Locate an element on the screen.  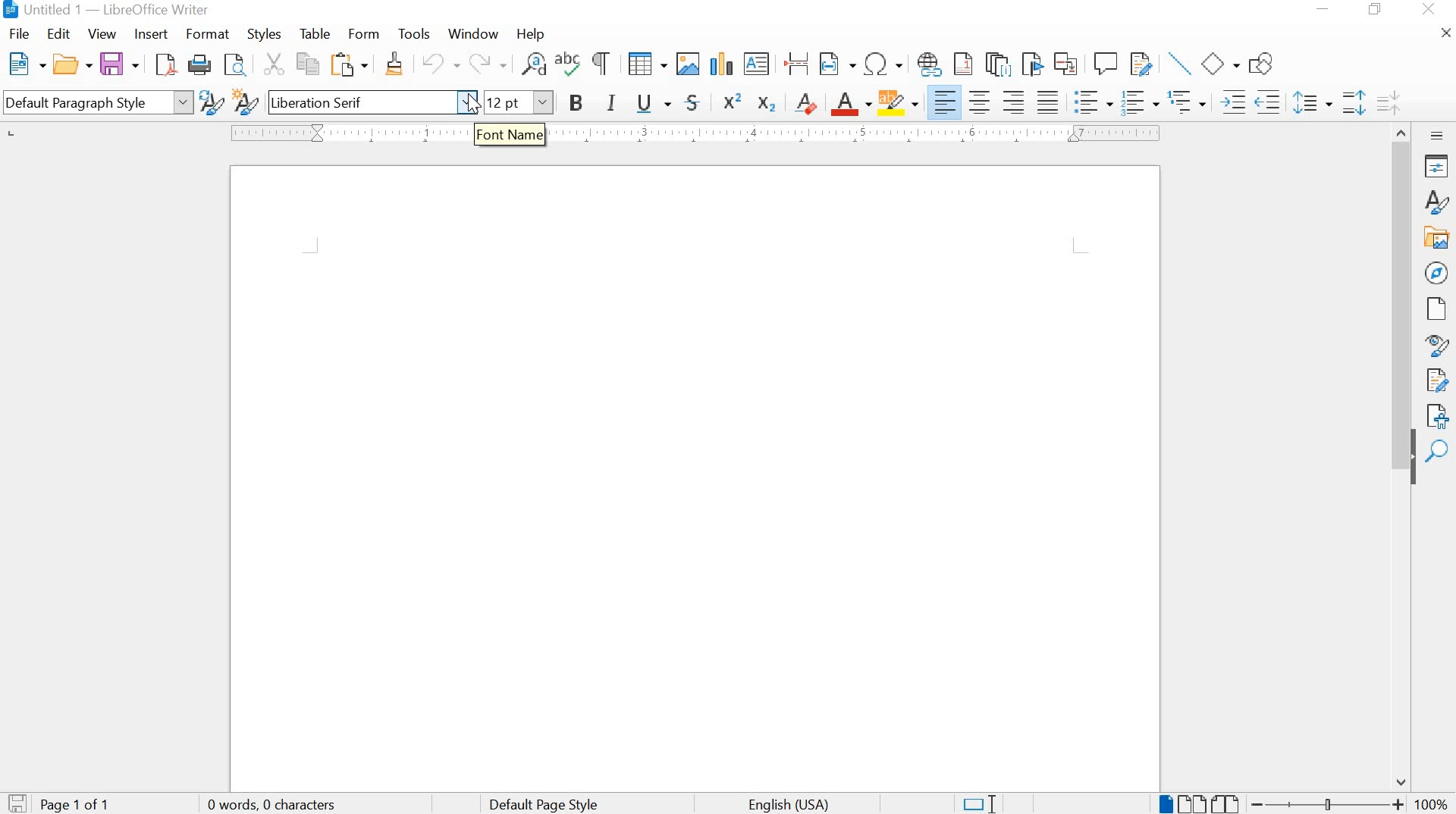
CHARACTER HIGHLIGHTING COLOR is located at coordinates (899, 103).